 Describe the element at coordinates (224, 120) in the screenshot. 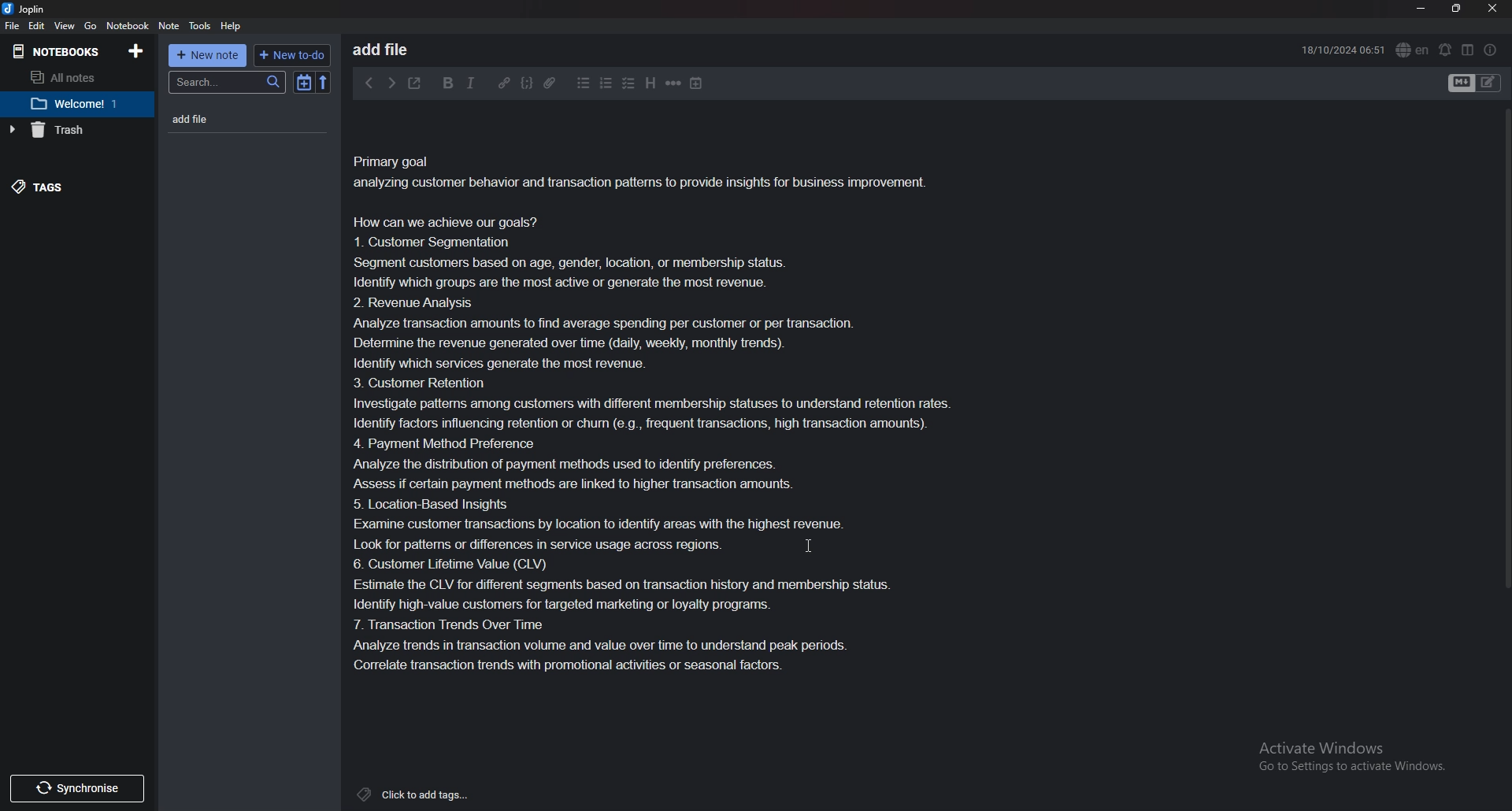

I see `note` at that location.